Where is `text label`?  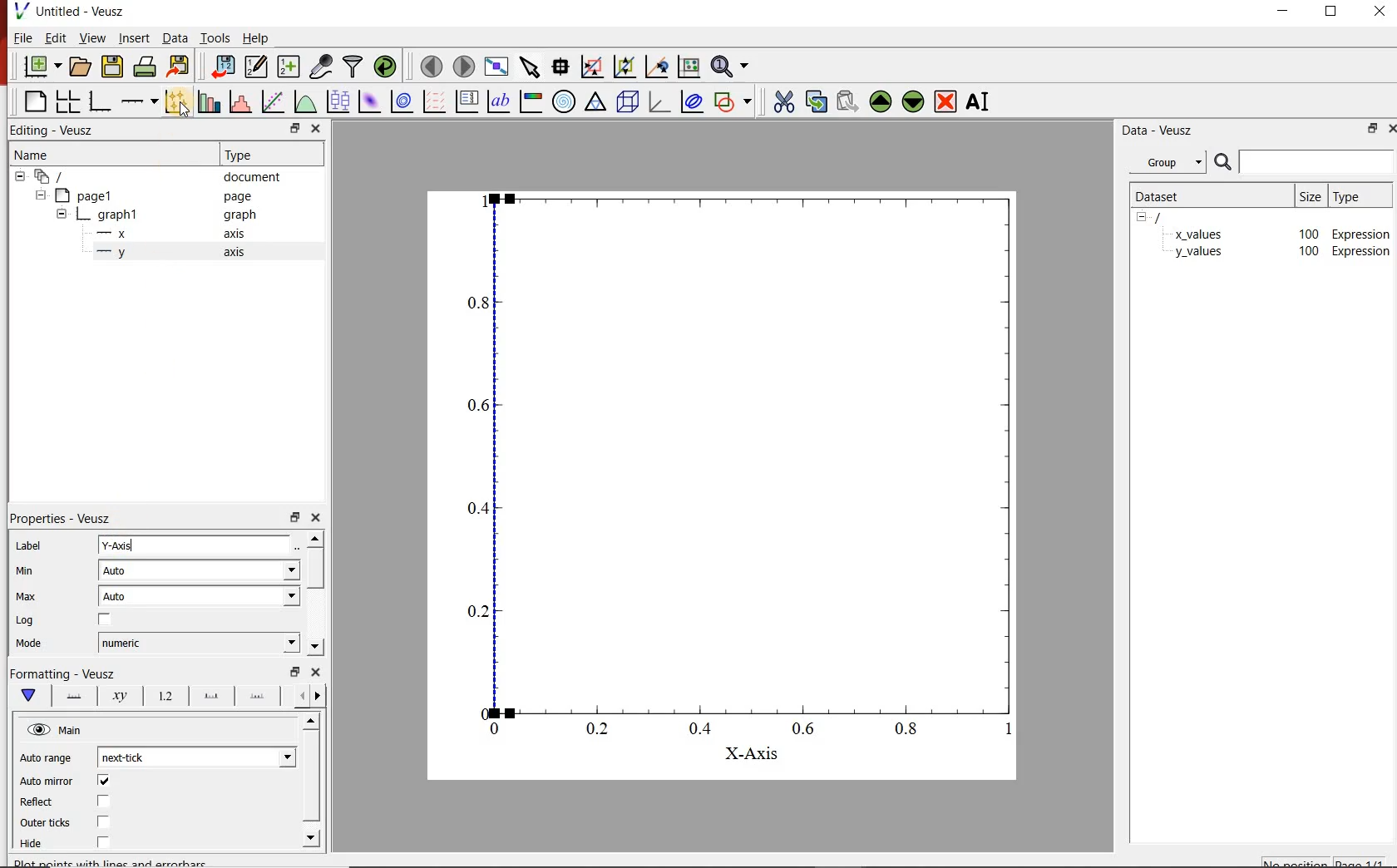 text label is located at coordinates (496, 101).